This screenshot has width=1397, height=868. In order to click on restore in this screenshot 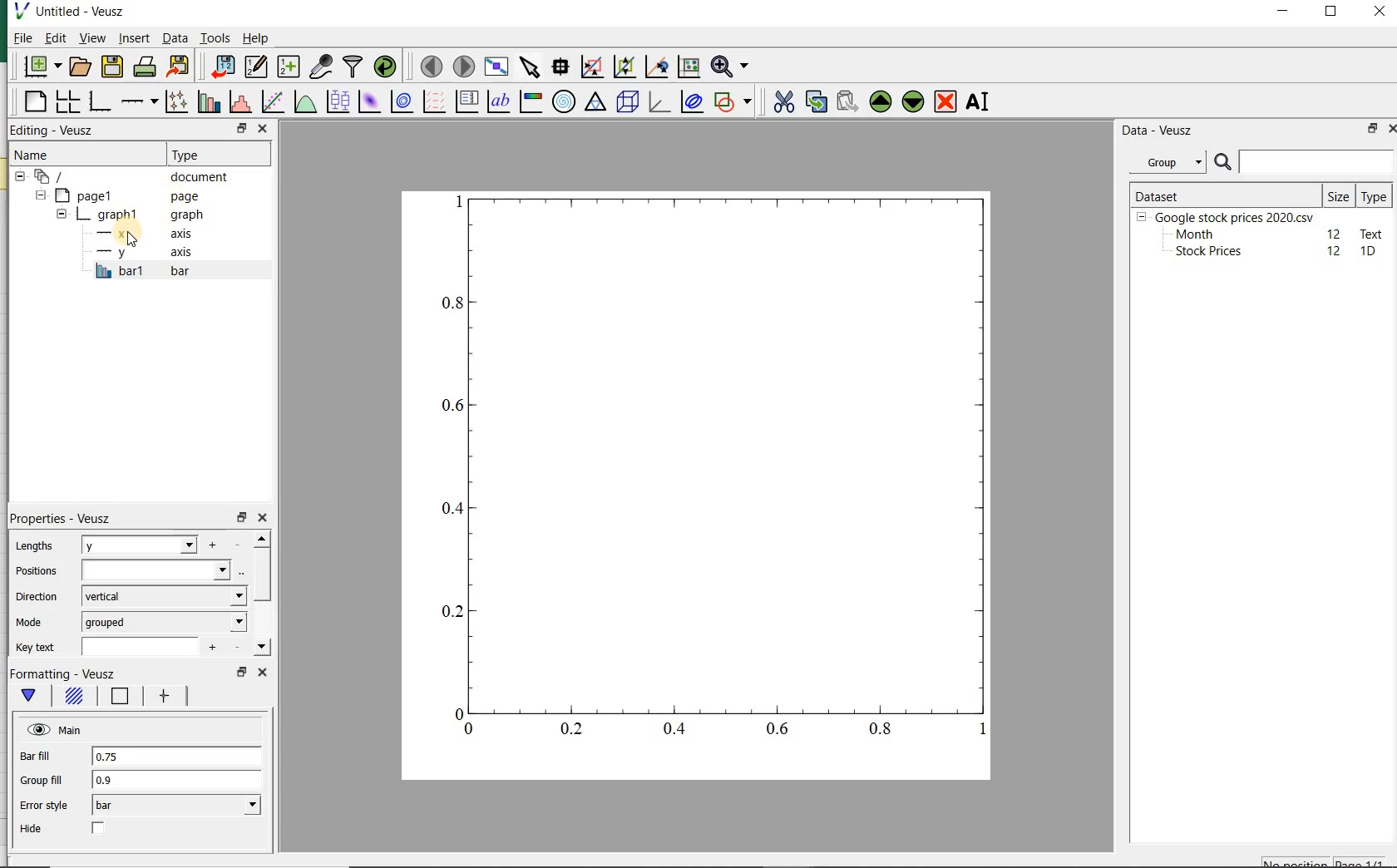, I will do `click(1370, 130)`.